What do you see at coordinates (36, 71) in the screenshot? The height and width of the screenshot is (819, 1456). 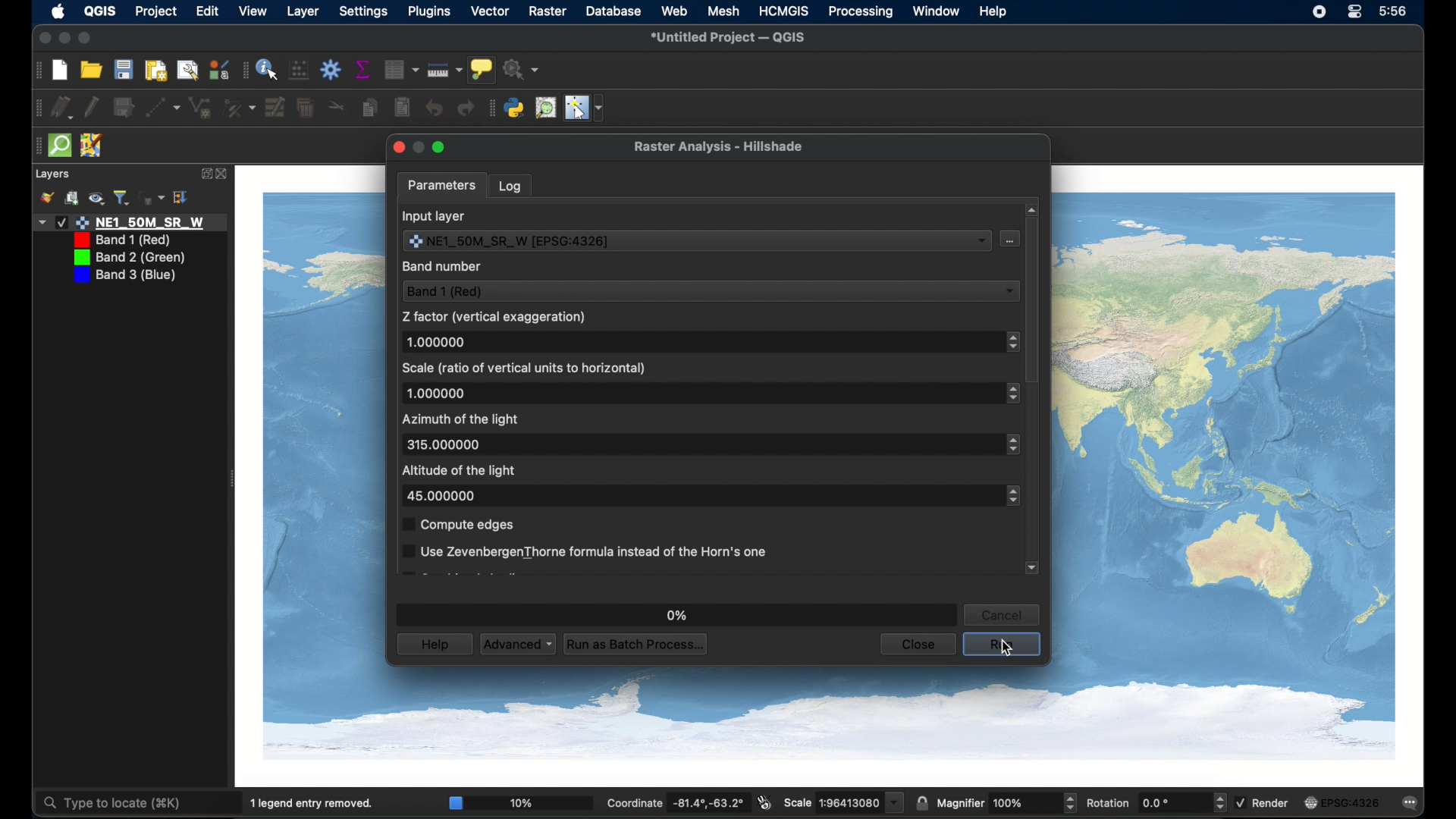 I see `drag handle` at bounding box center [36, 71].